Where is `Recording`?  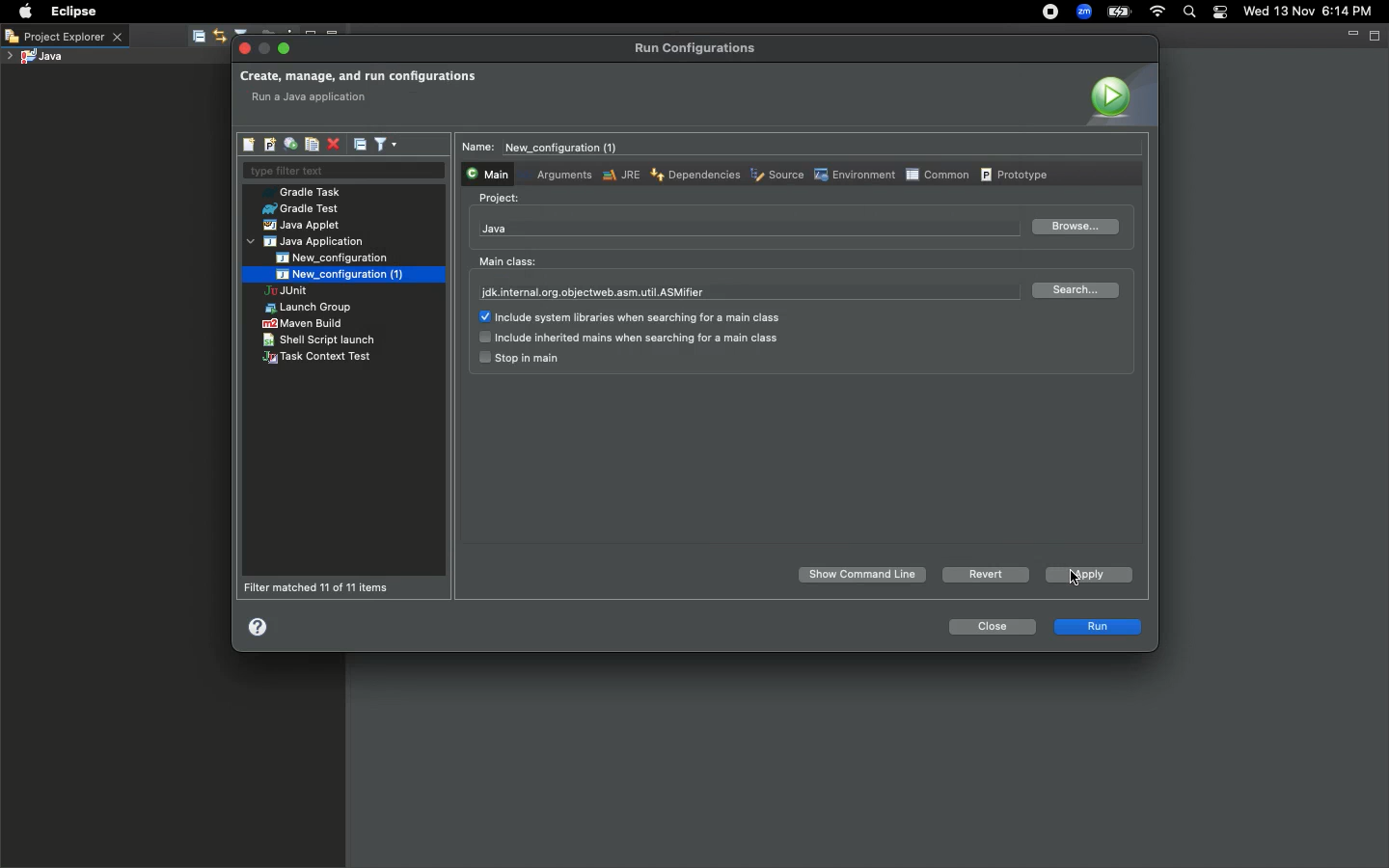 Recording is located at coordinates (1049, 12).